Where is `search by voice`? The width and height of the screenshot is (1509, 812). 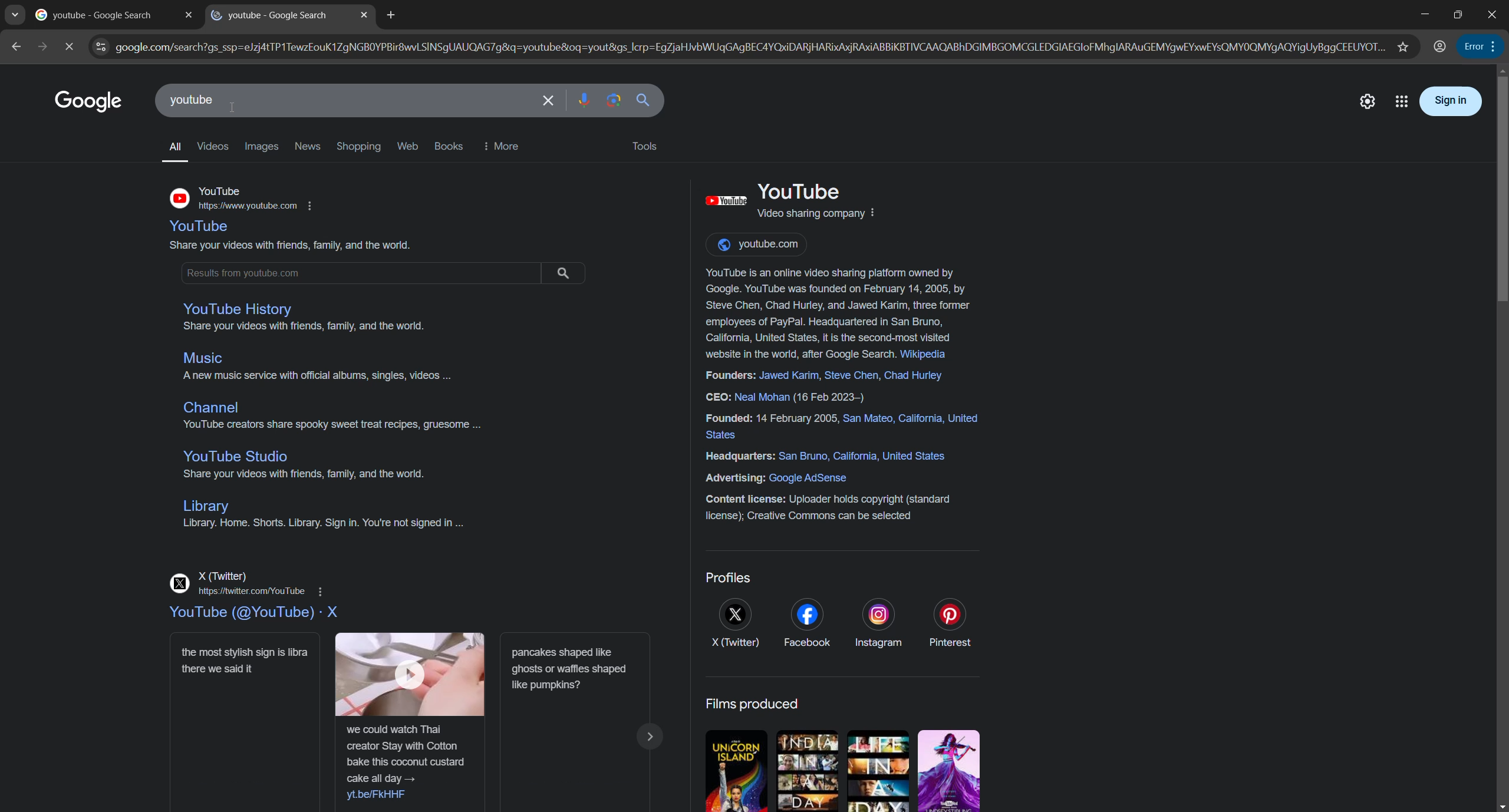
search by voice is located at coordinates (586, 100).